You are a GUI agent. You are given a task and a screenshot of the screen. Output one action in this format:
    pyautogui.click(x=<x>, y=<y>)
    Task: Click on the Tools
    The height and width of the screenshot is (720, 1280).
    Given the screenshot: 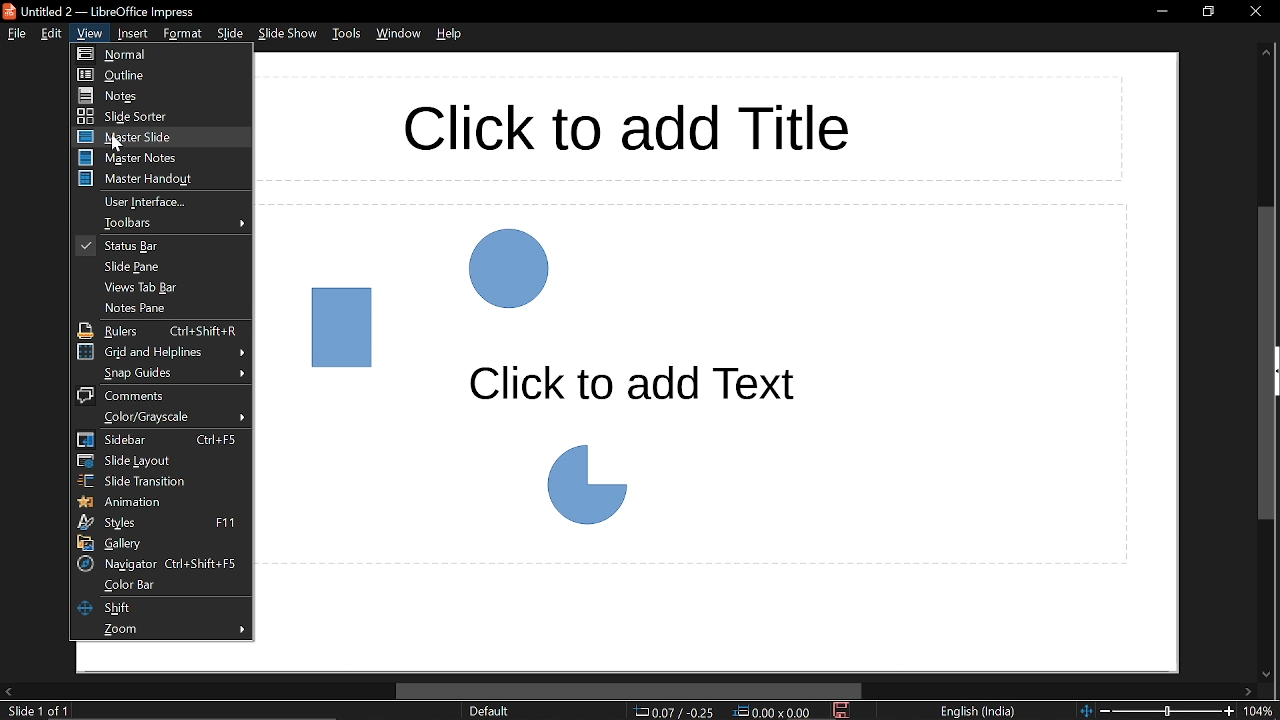 What is the action you would take?
    pyautogui.click(x=347, y=35)
    